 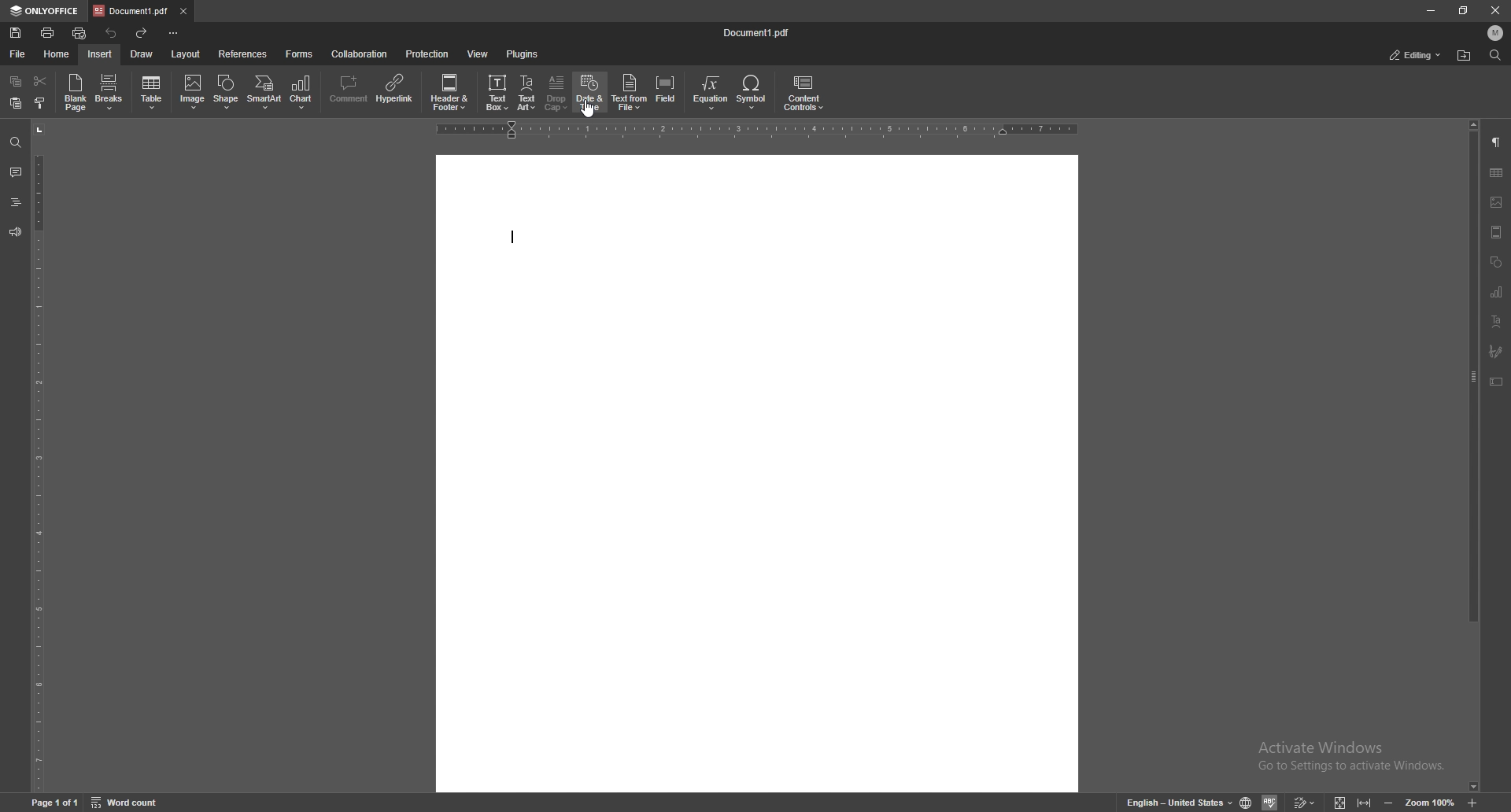 What do you see at coordinates (16, 54) in the screenshot?
I see `file` at bounding box center [16, 54].